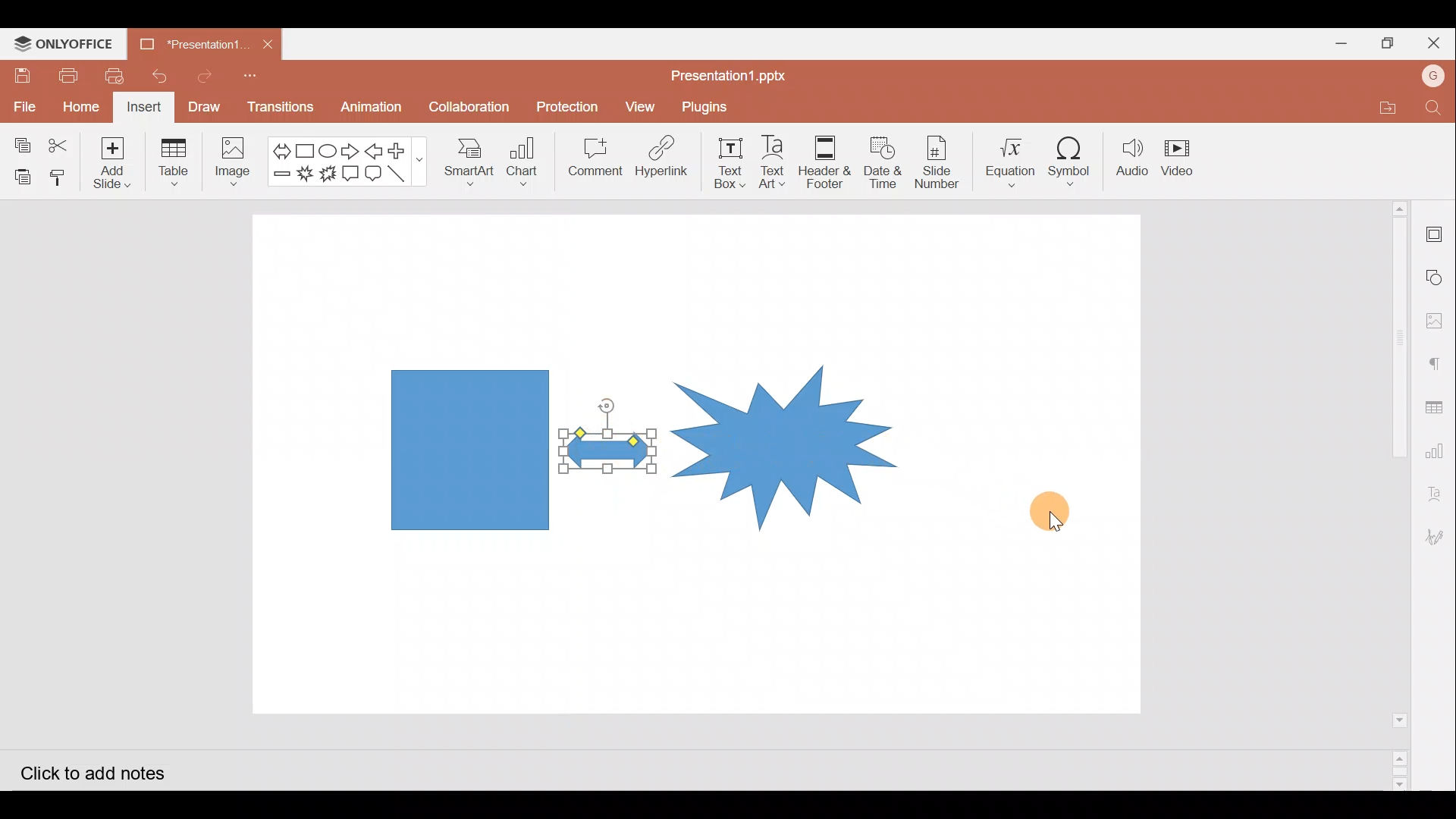 The height and width of the screenshot is (819, 1456). I want to click on File, so click(24, 104).